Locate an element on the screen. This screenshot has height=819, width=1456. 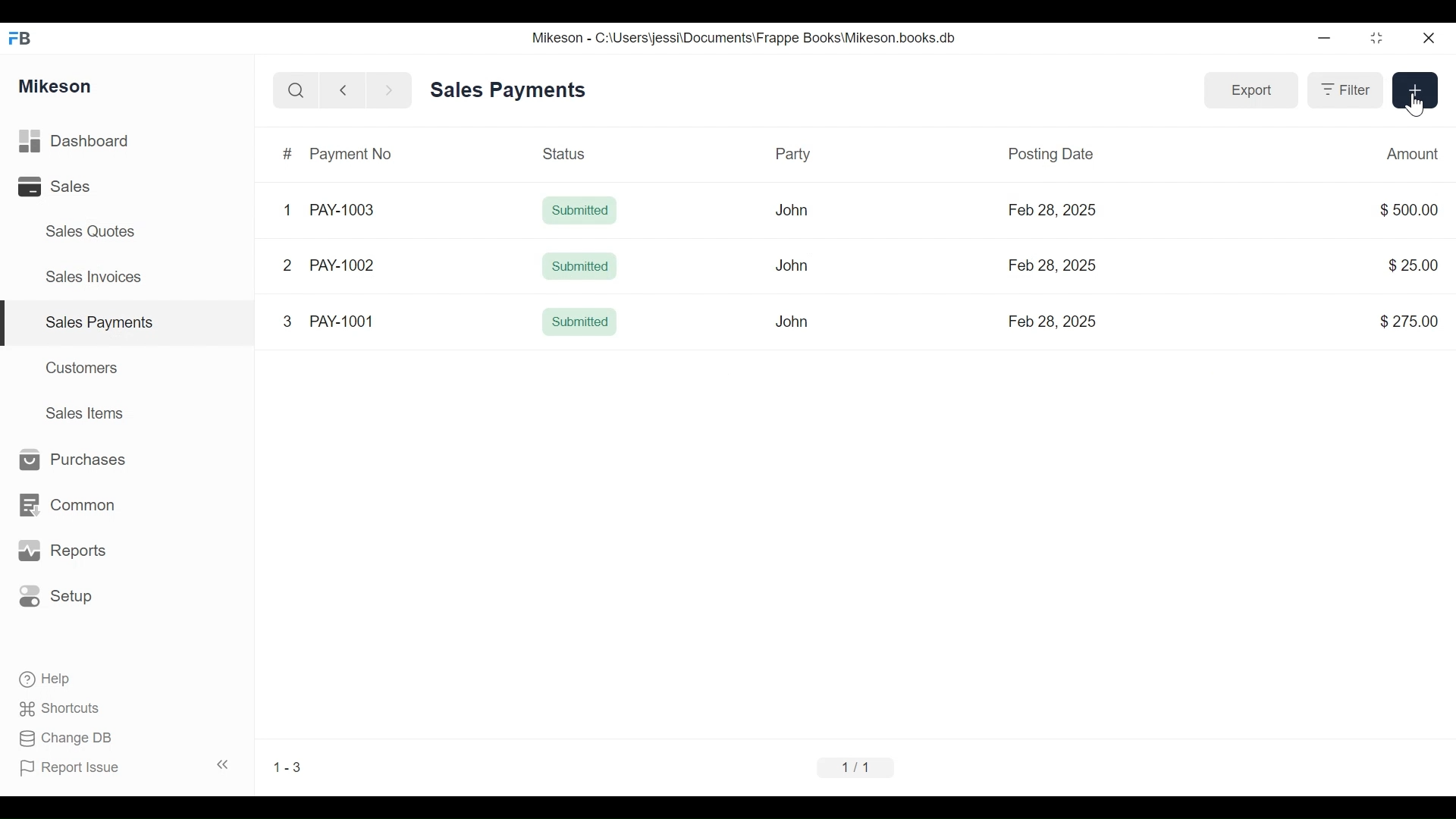
Mikeson is located at coordinates (56, 84).